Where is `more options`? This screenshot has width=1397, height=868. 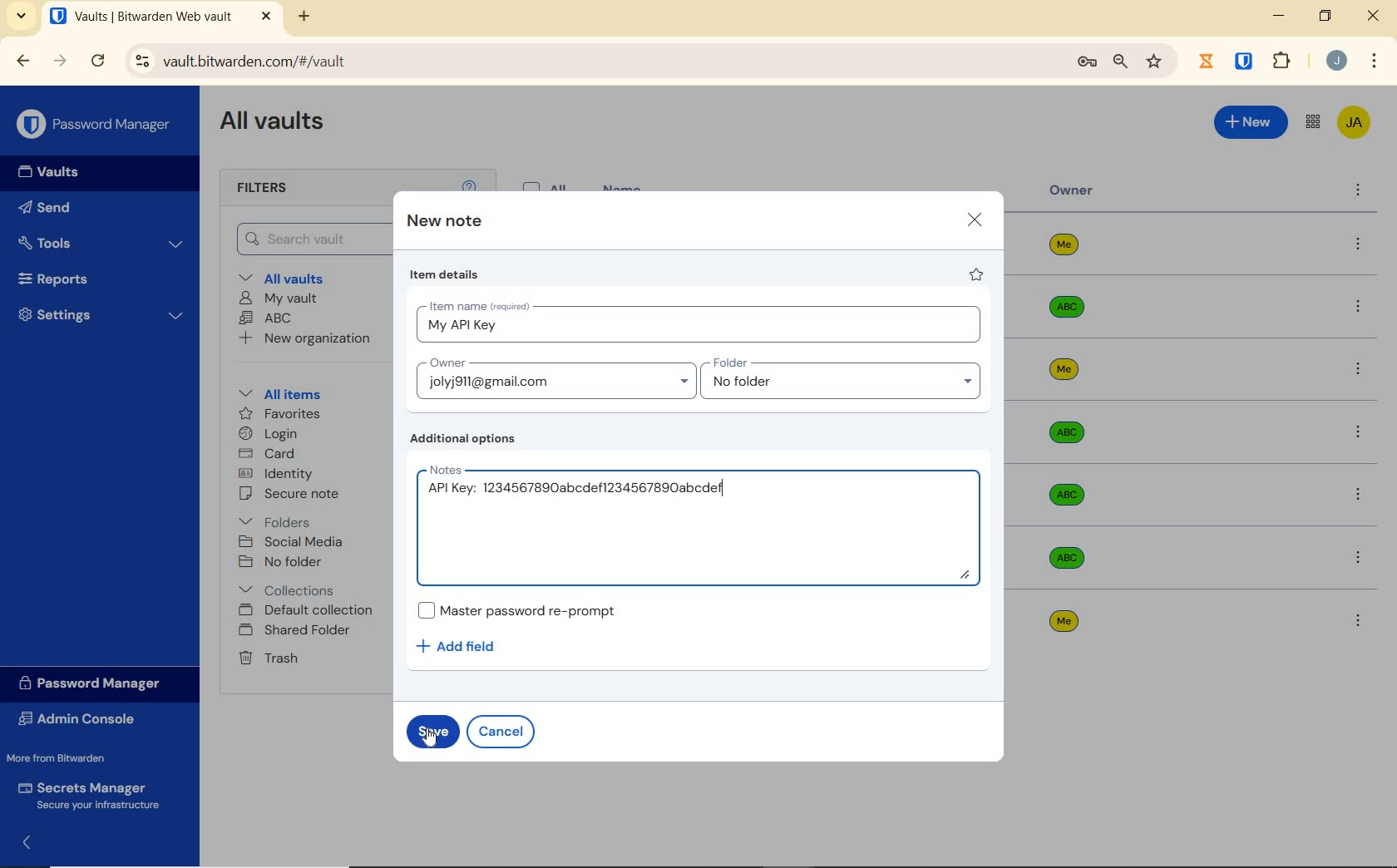 more options is located at coordinates (1357, 308).